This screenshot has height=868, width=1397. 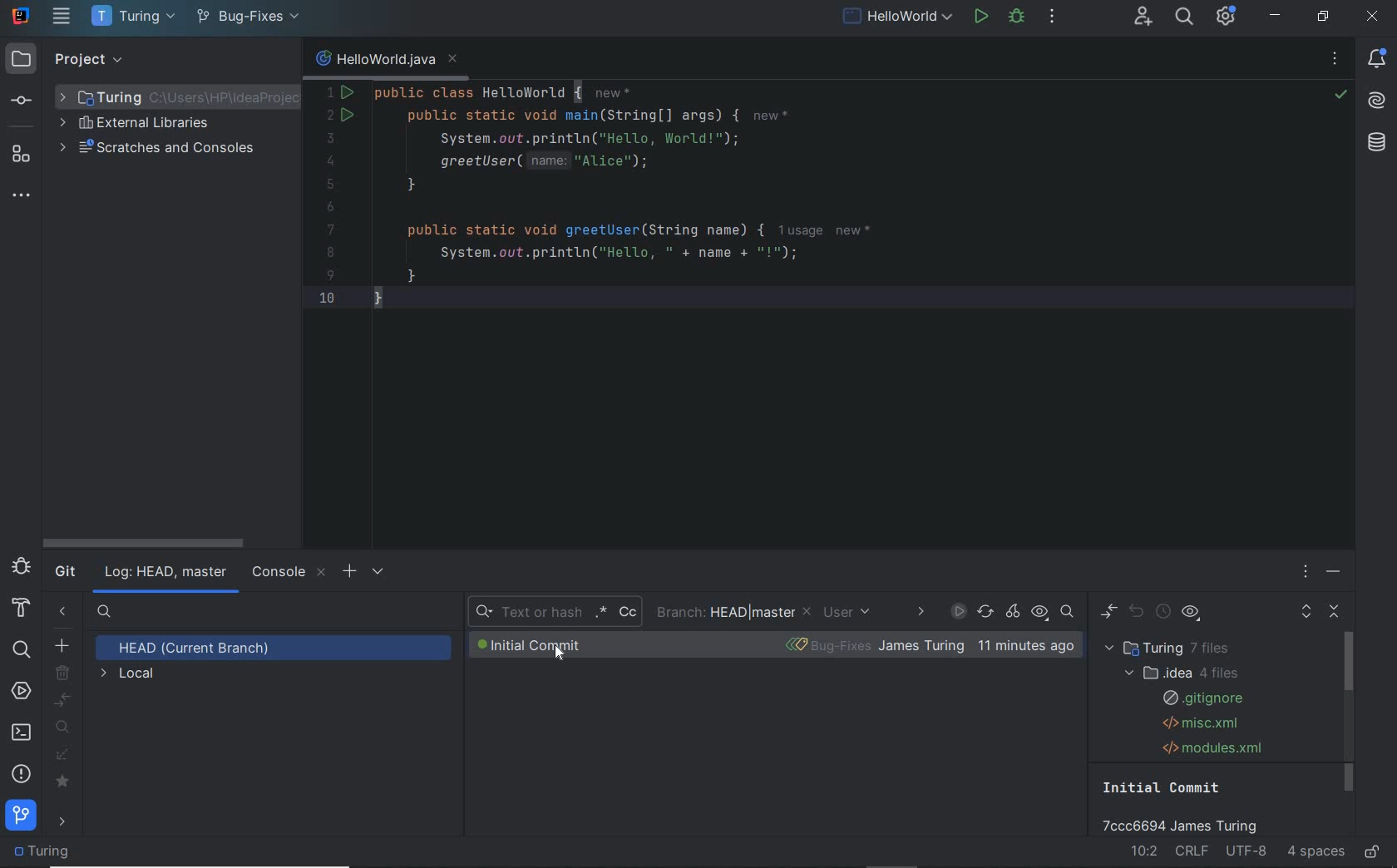 What do you see at coordinates (1014, 613) in the screenshot?
I see `cherry-pick` at bounding box center [1014, 613].